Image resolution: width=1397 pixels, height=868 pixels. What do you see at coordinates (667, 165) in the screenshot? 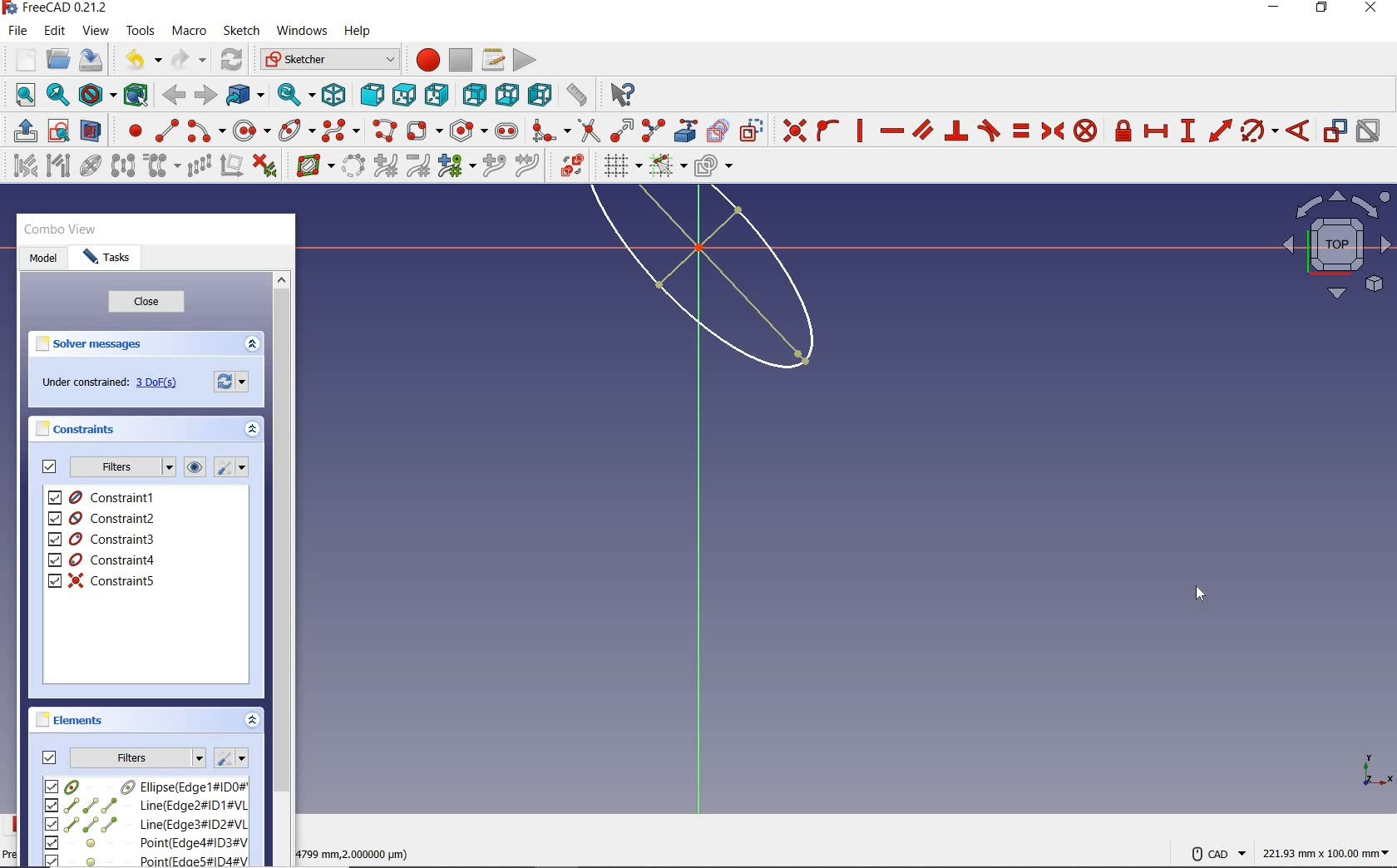
I see `toggle snap` at bounding box center [667, 165].